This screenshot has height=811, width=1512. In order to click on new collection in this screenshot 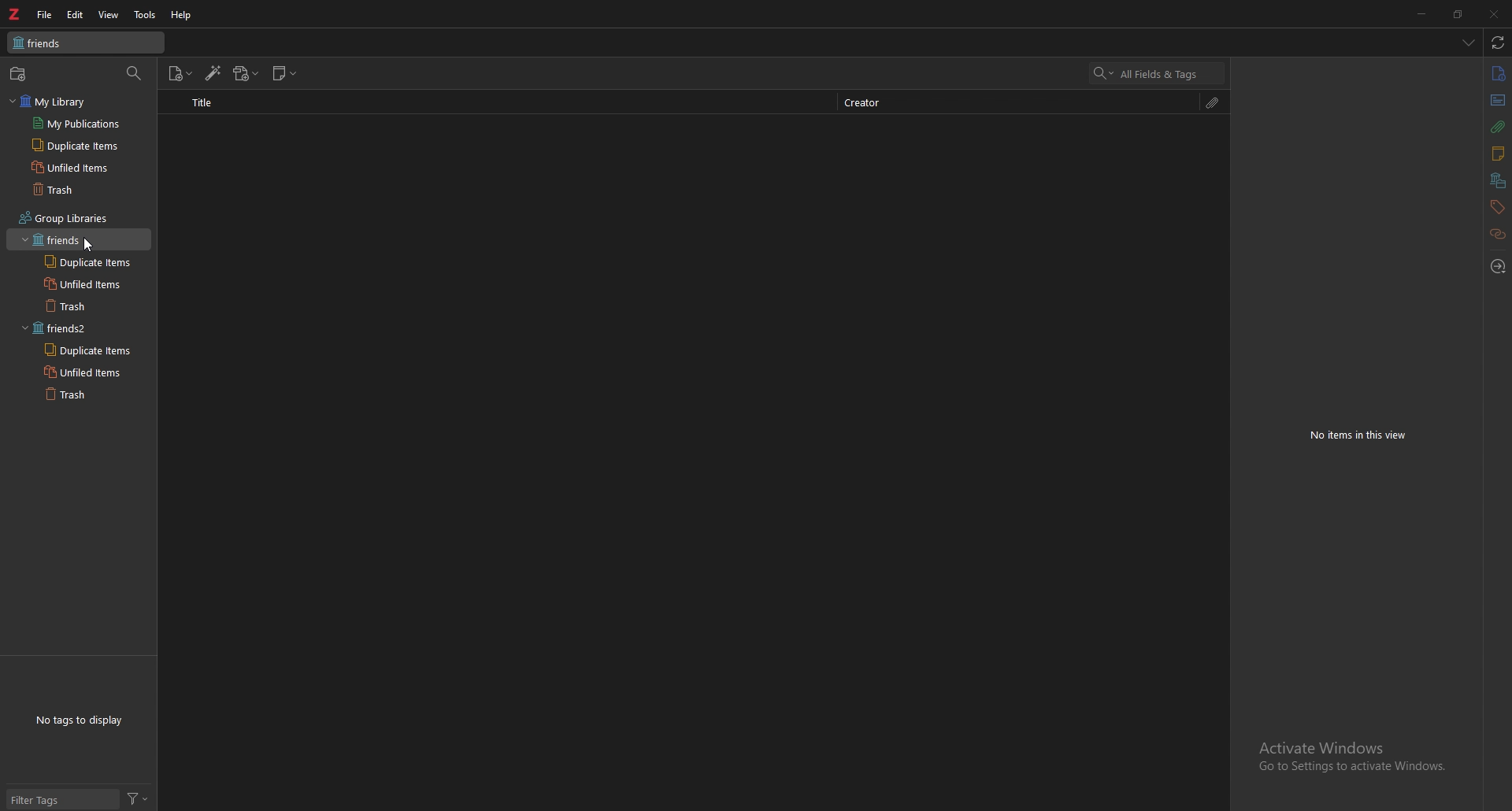, I will do `click(18, 74)`.